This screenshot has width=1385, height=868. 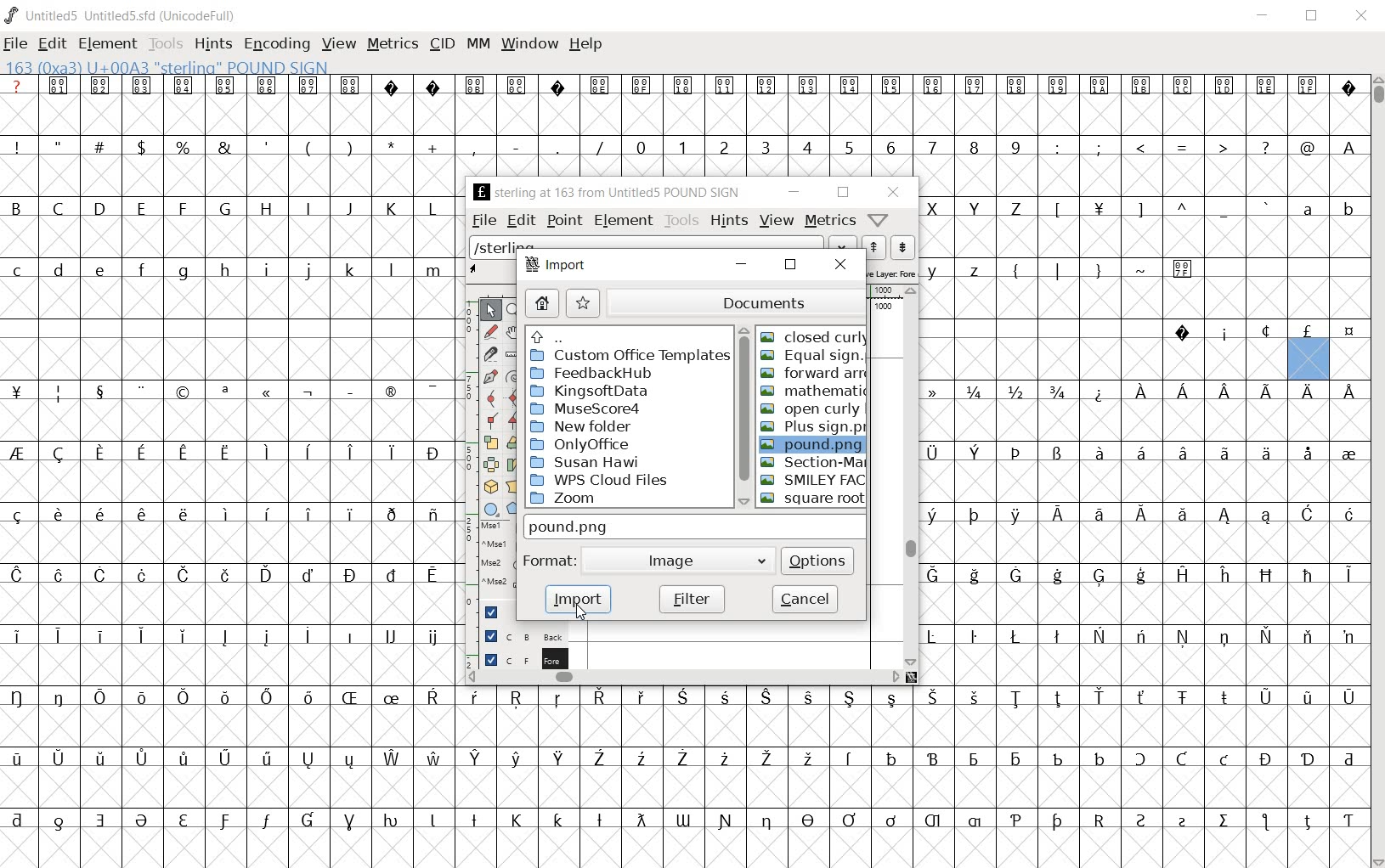 I want to click on Symbol, so click(x=1348, y=87).